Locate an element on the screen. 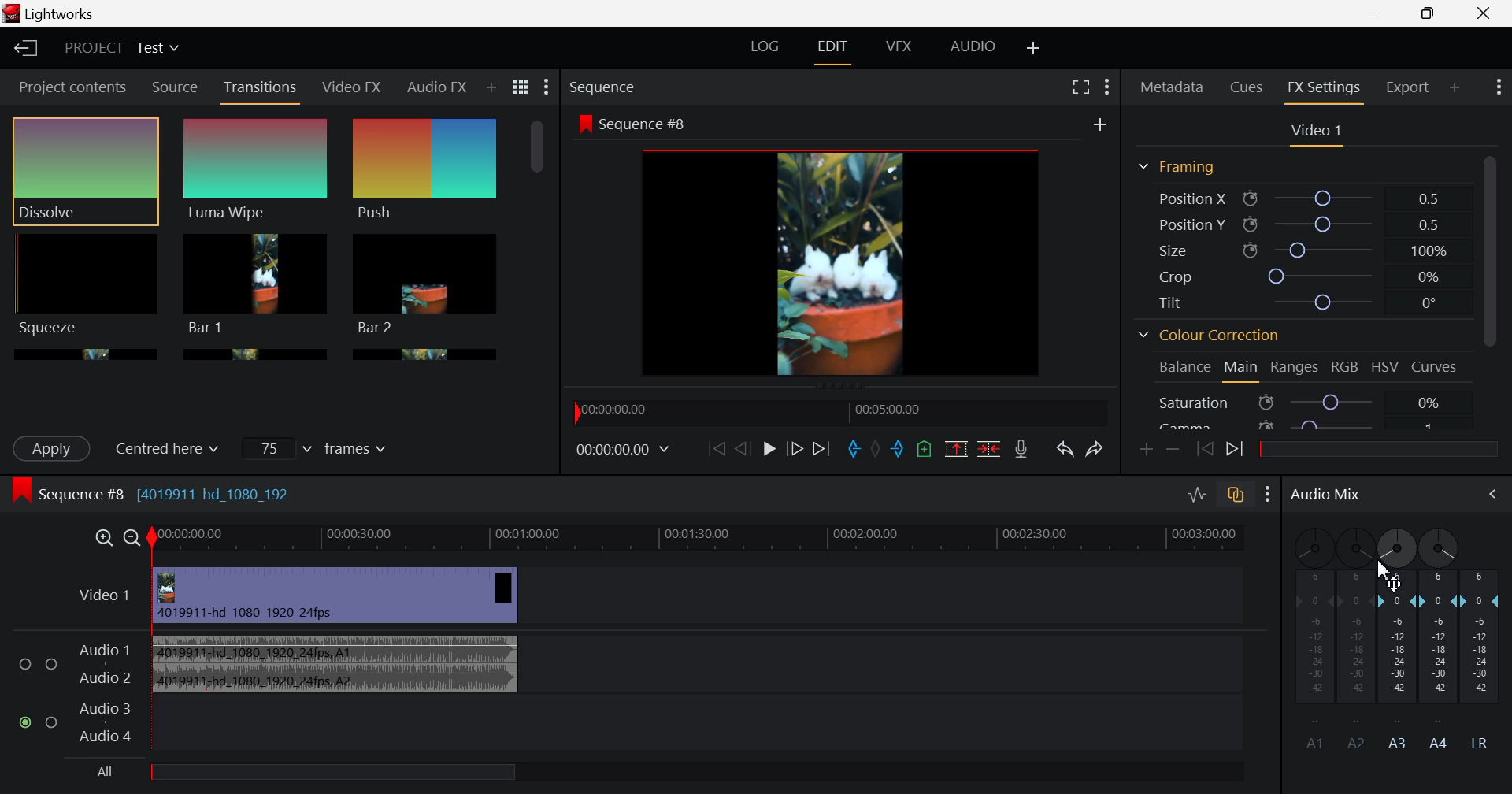 This screenshot has width=1512, height=794. Go Forward is located at coordinates (795, 448).